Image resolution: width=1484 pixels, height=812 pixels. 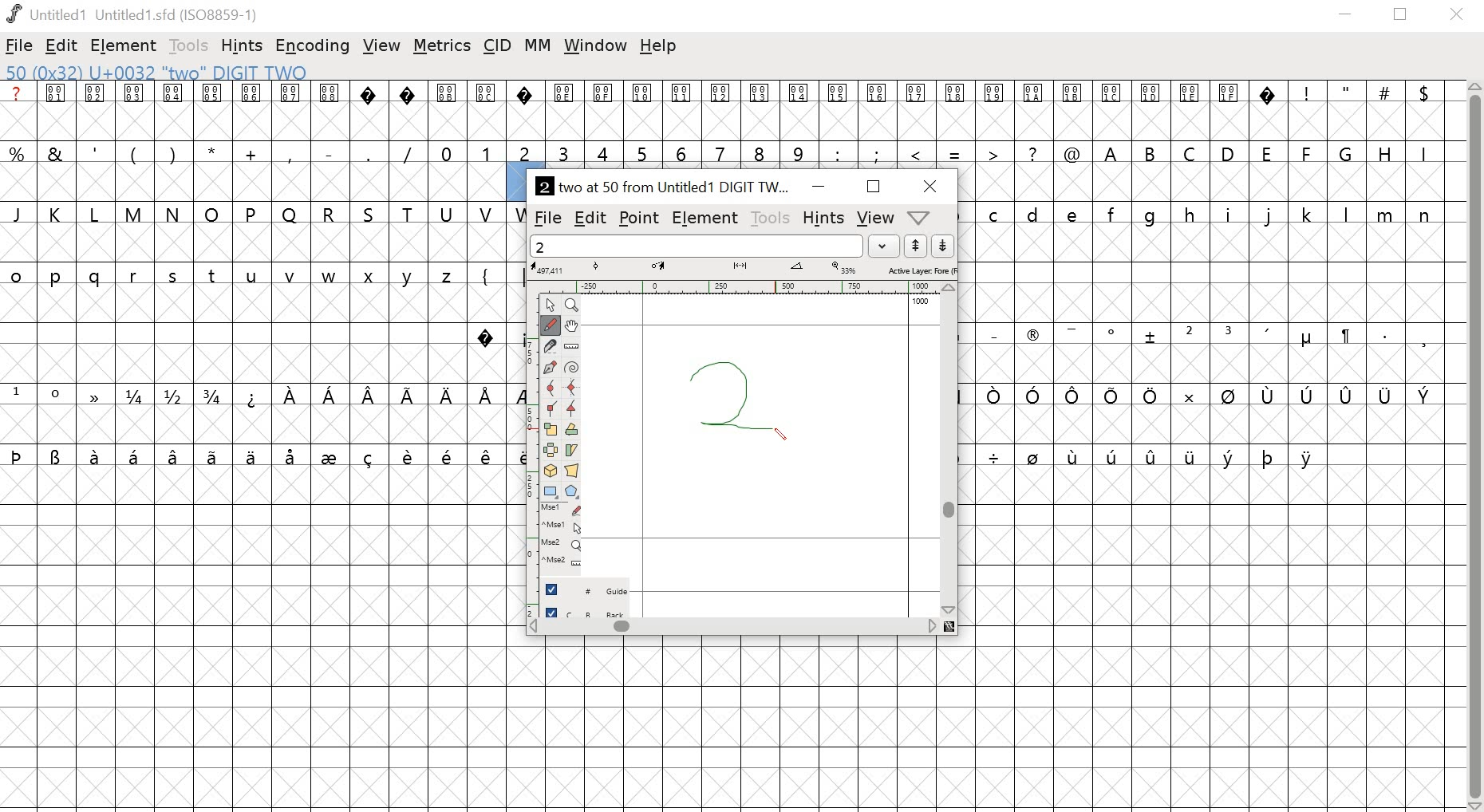 I want to click on dropdown, so click(x=884, y=246).